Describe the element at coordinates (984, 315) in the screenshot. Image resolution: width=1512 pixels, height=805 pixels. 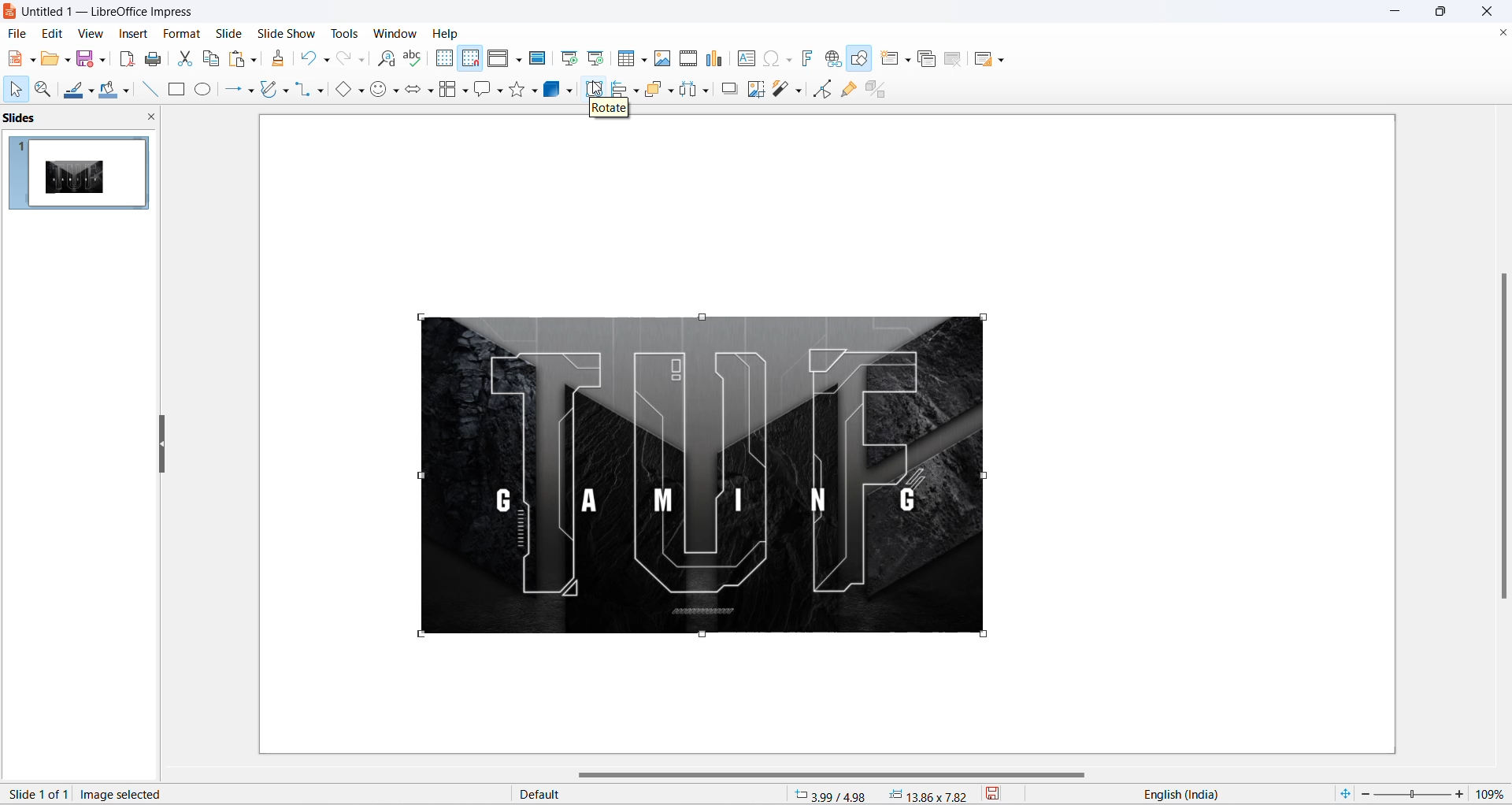
I see `image selection markup` at that location.